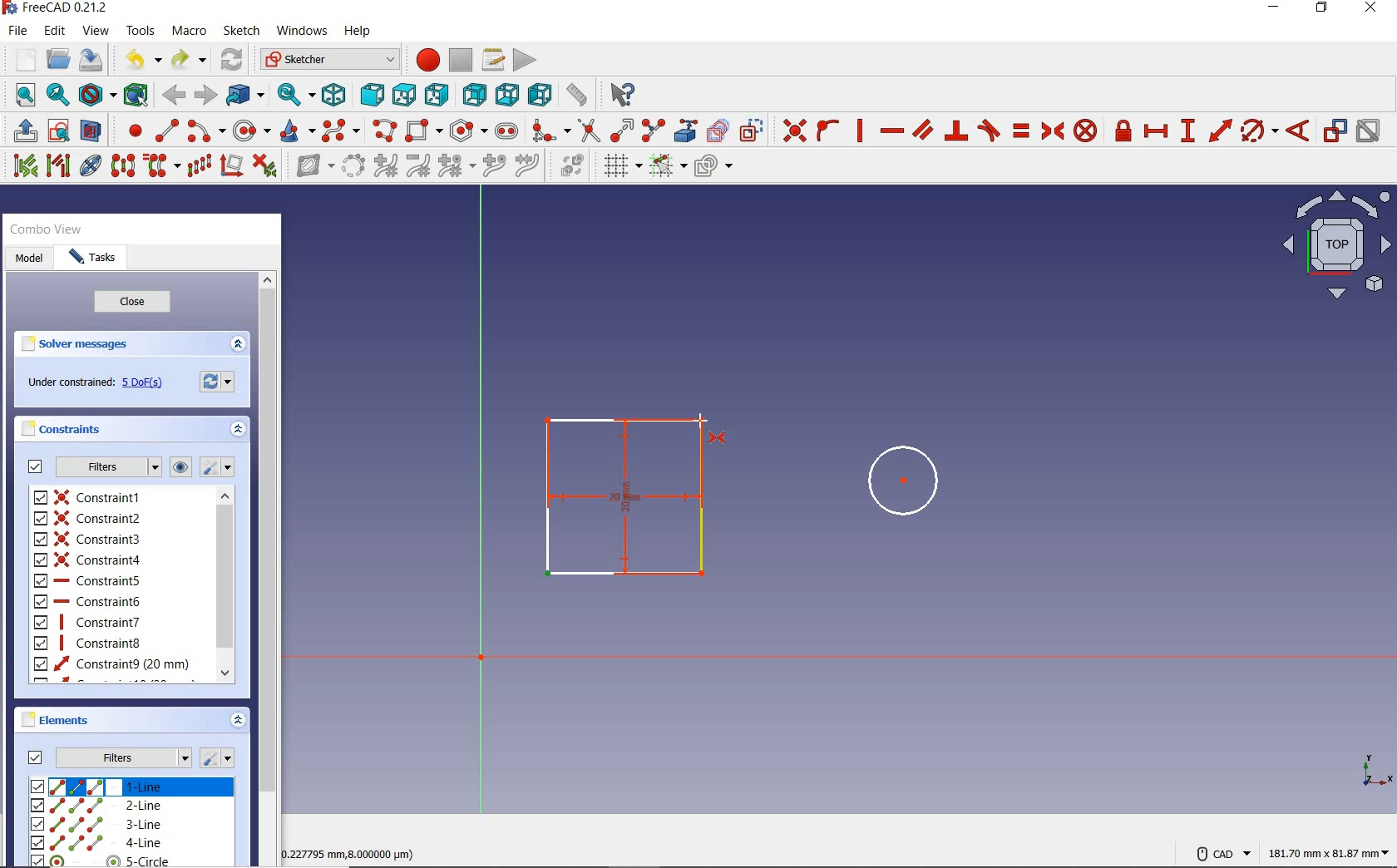 Image resolution: width=1397 pixels, height=868 pixels. I want to click on settings, so click(219, 467).